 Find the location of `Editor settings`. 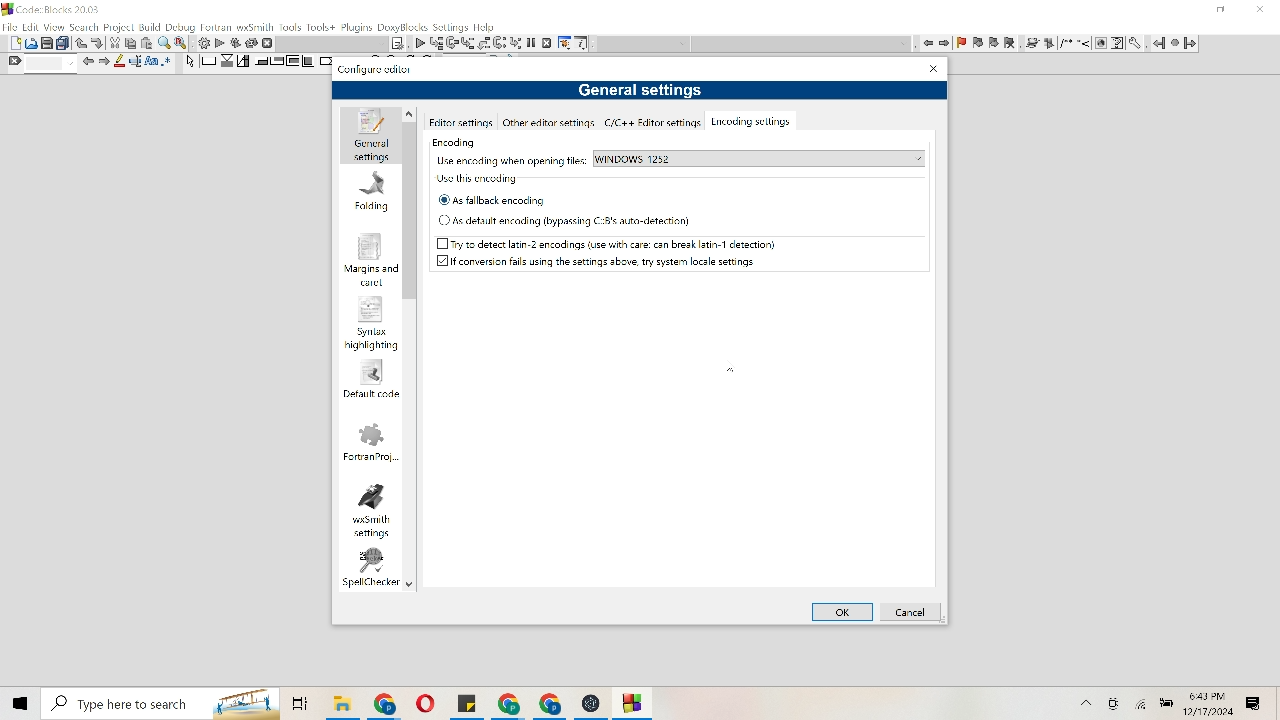

Editor settings is located at coordinates (462, 121).